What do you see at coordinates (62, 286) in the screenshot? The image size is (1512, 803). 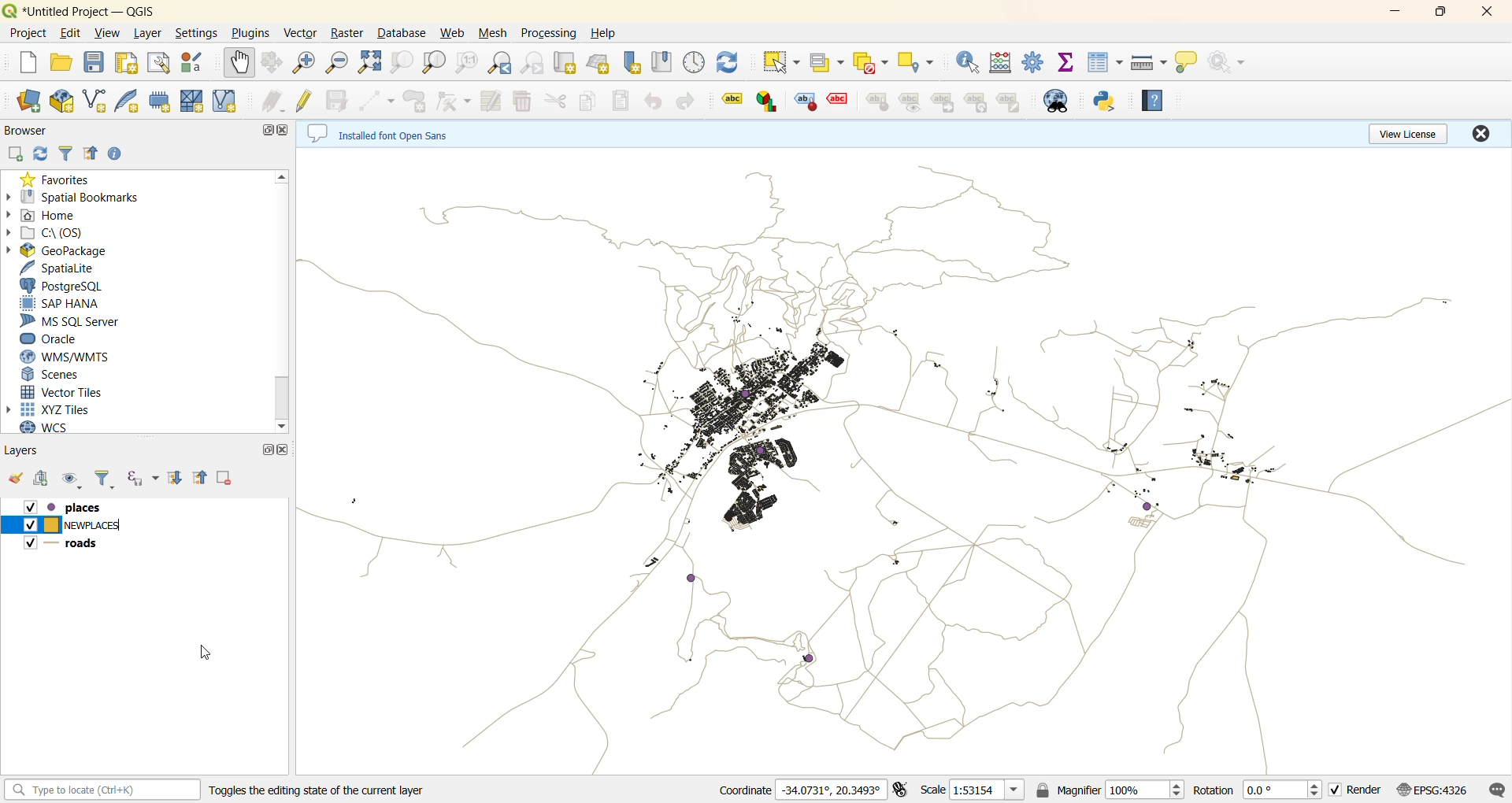 I see `postgresql` at bounding box center [62, 286].